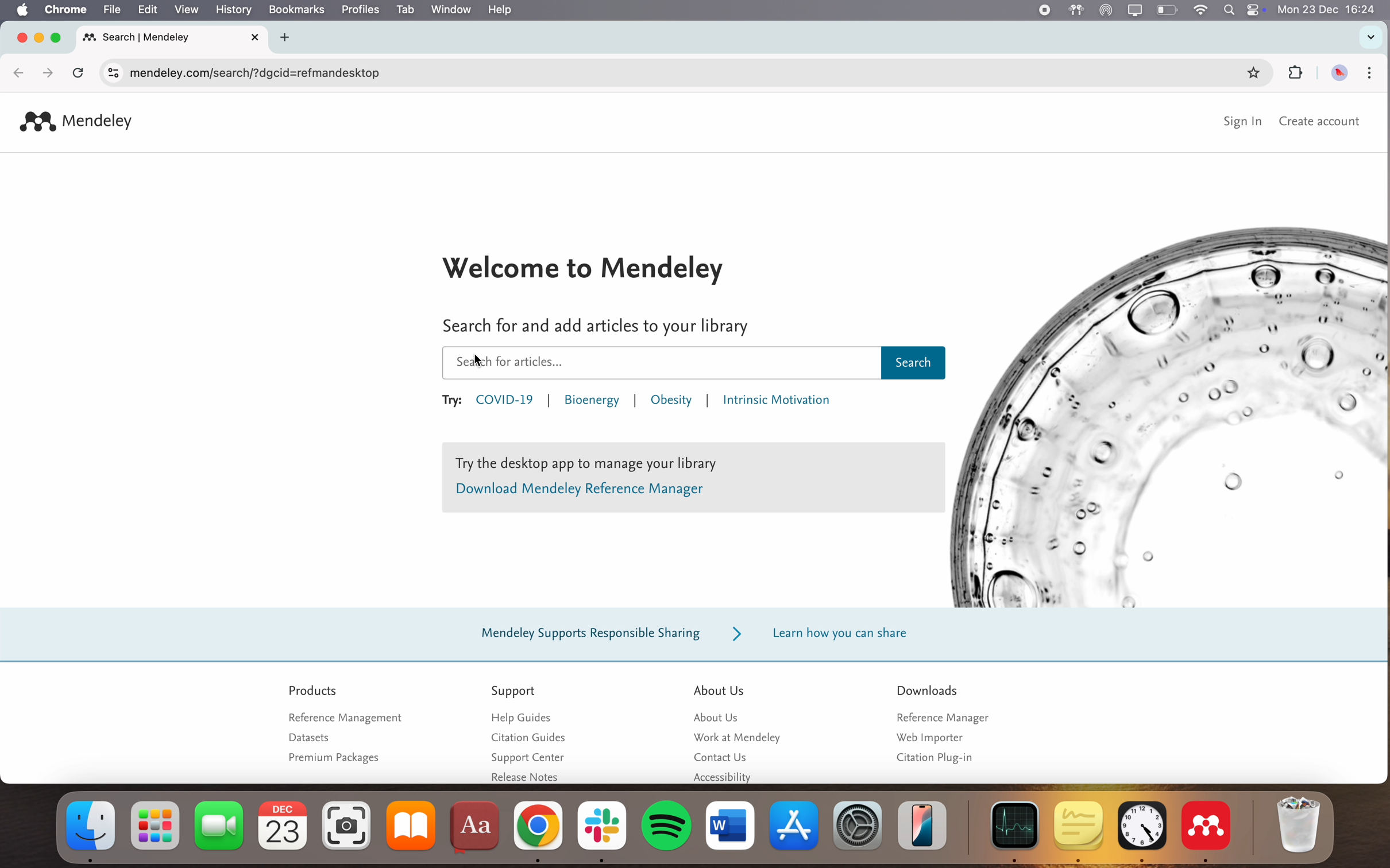  I want to click on support, so click(686, 634).